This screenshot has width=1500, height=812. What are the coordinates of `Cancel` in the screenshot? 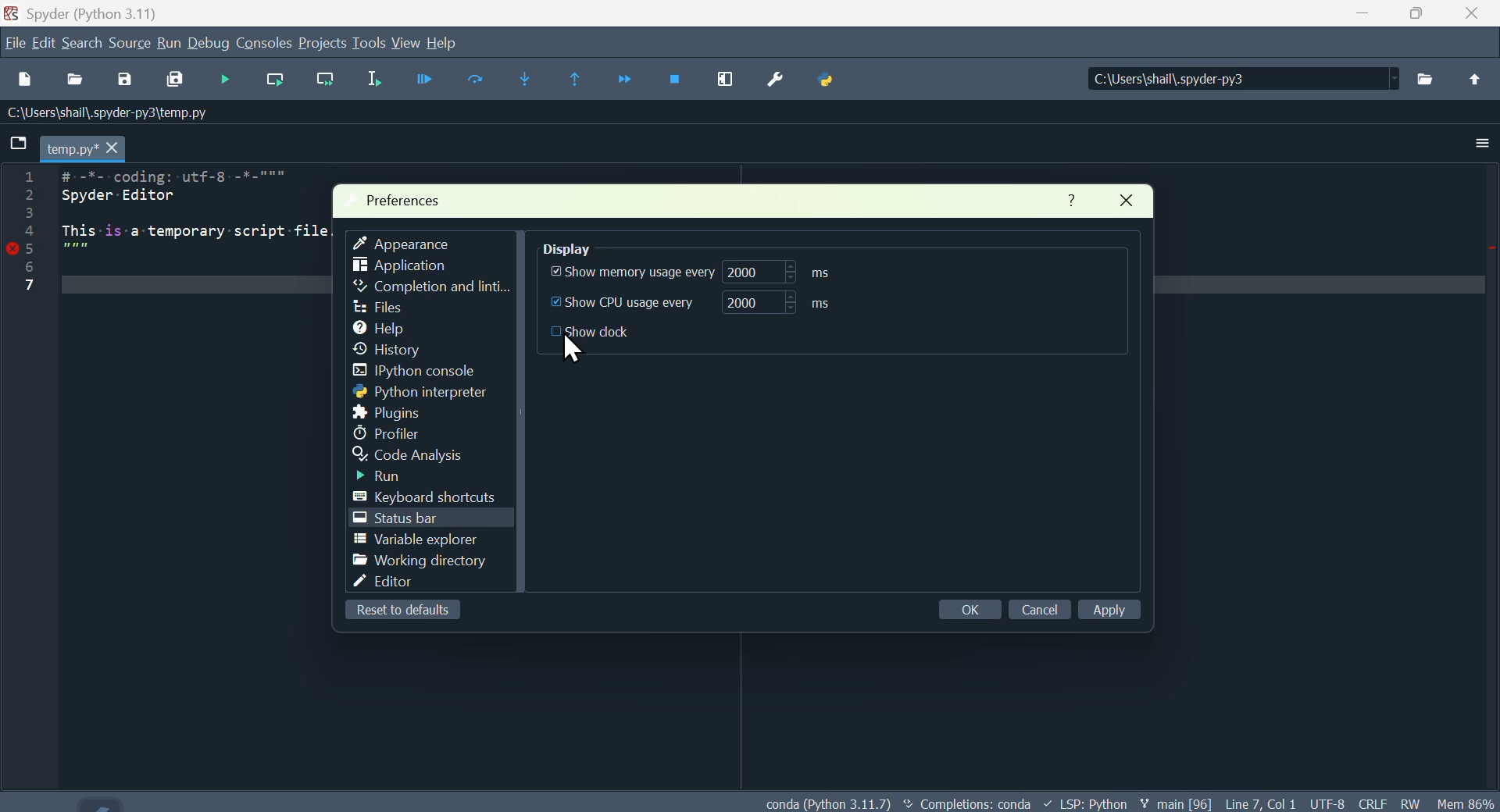 It's located at (1038, 607).